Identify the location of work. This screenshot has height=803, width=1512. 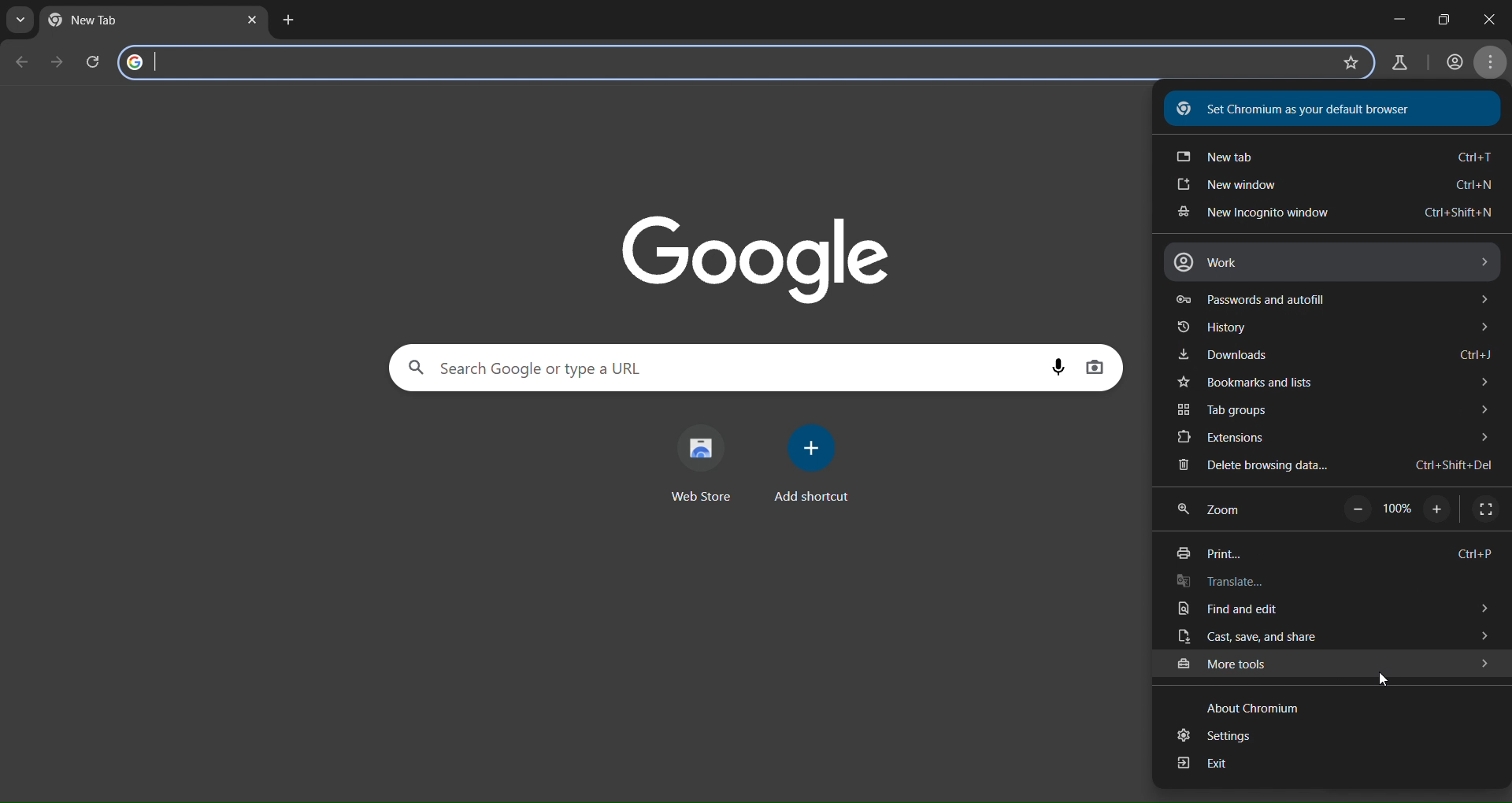
(1332, 262).